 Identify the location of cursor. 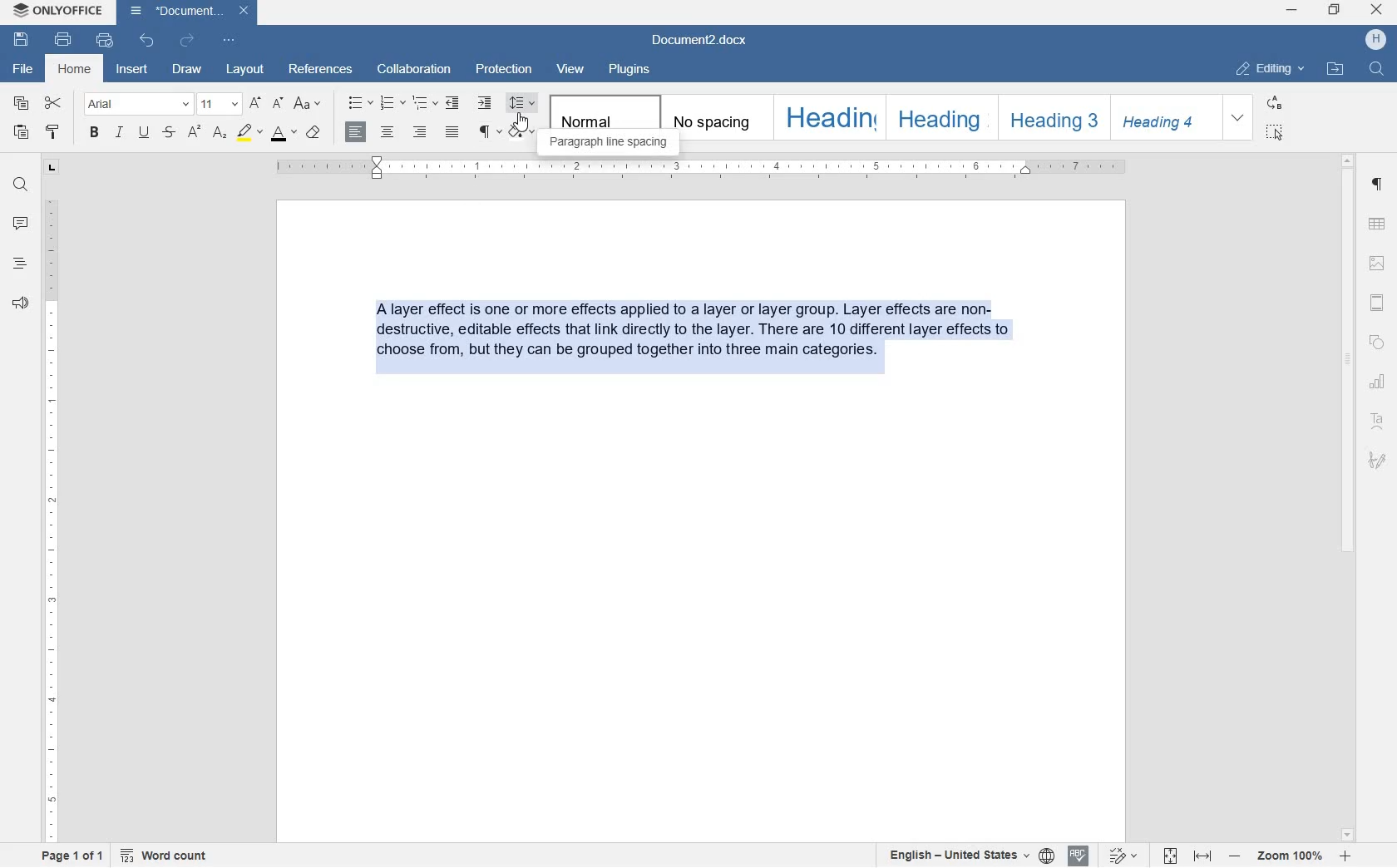
(520, 126).